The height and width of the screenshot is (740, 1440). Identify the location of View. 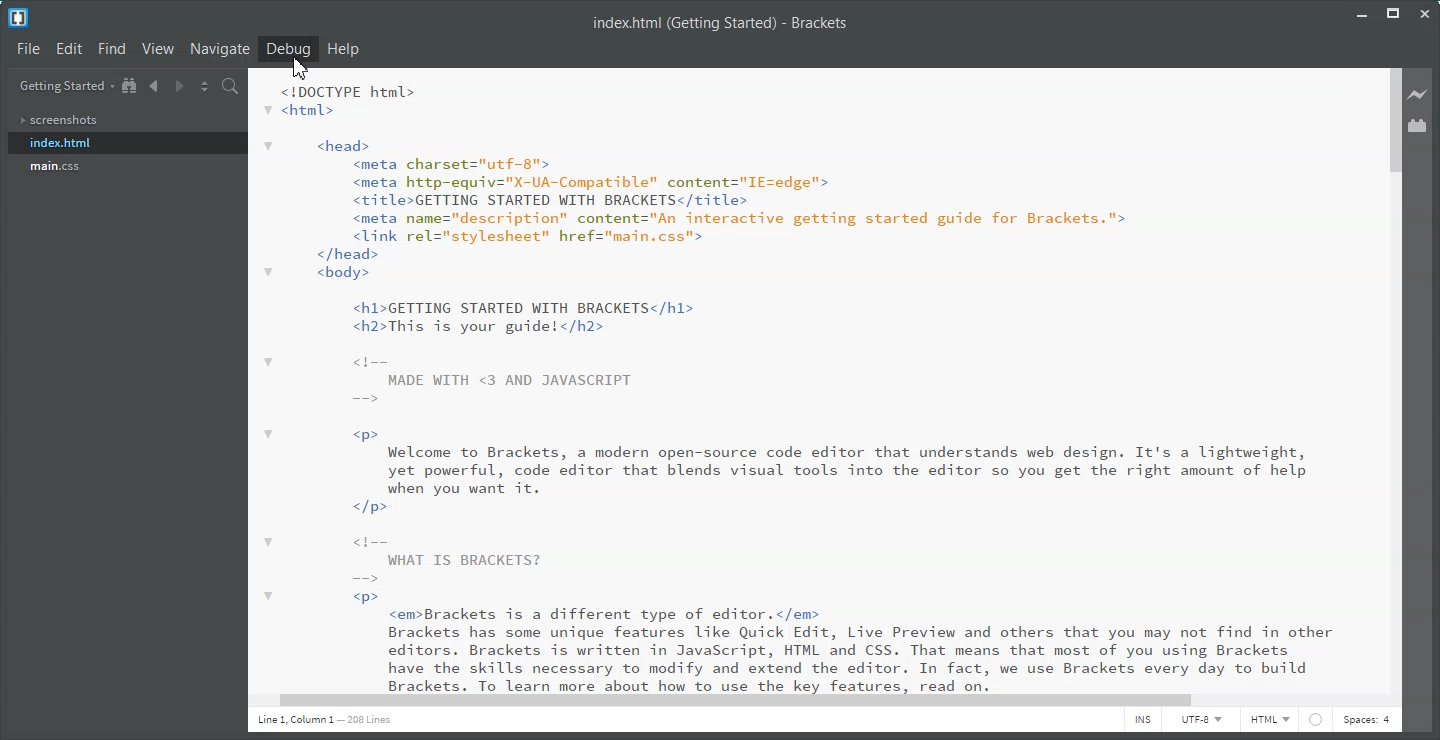
(157, 49).